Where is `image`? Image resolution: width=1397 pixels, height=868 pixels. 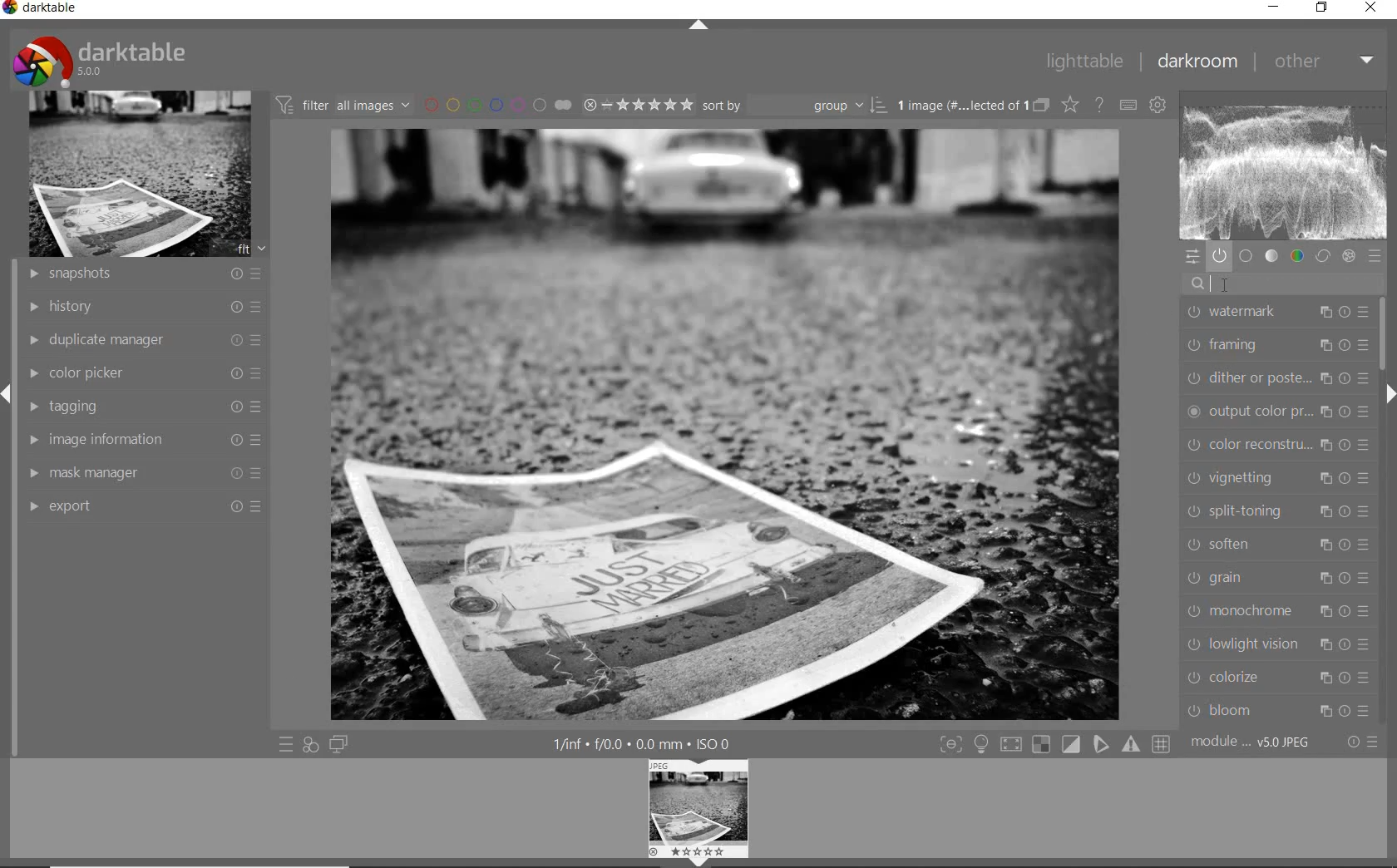 image is located at coordinates (140, 175).